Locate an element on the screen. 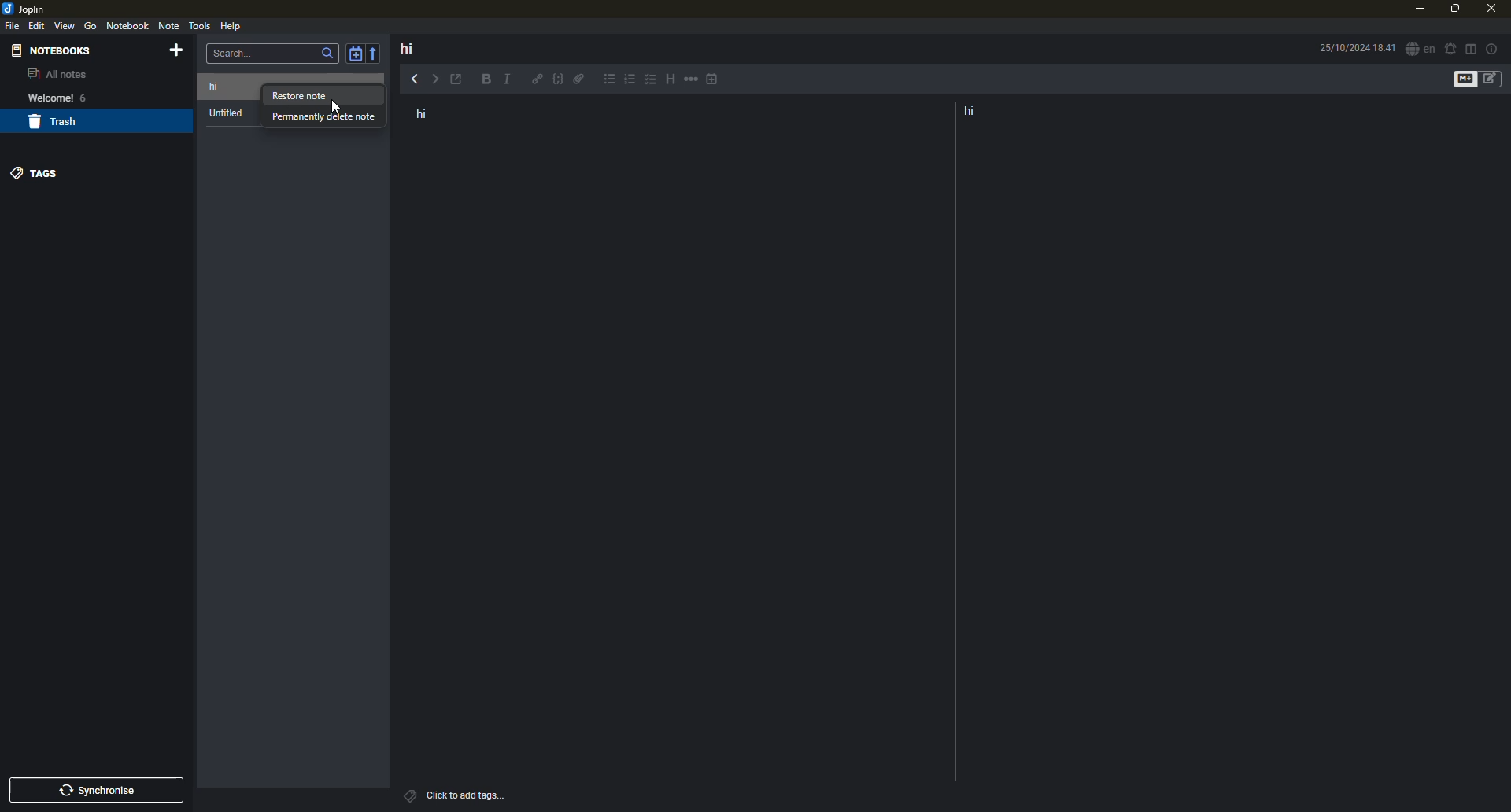 This screenshot has width=1511, height=812. toggle editors is located at coordinates (1494, 79).